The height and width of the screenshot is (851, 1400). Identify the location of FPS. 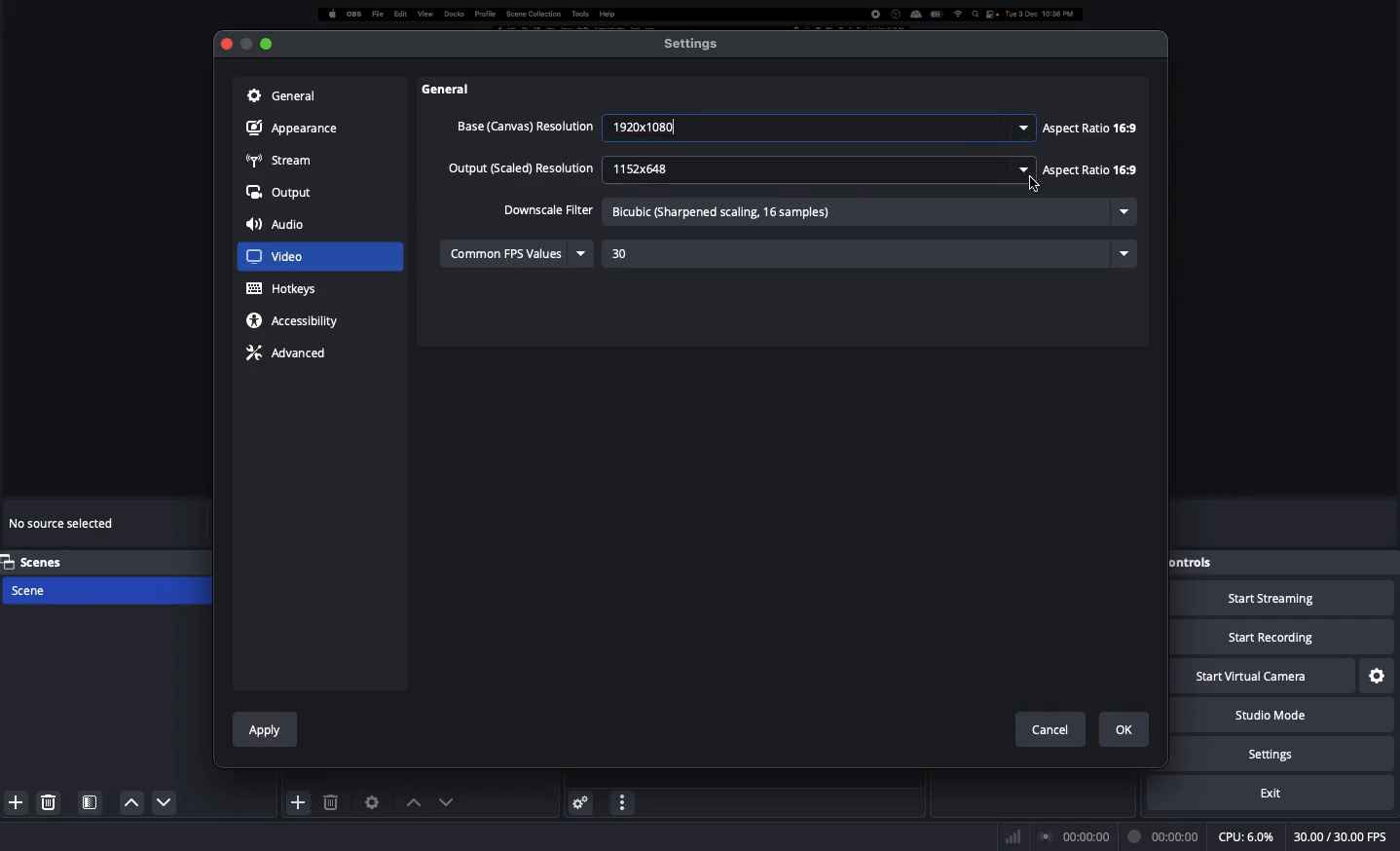
(1344, 837).